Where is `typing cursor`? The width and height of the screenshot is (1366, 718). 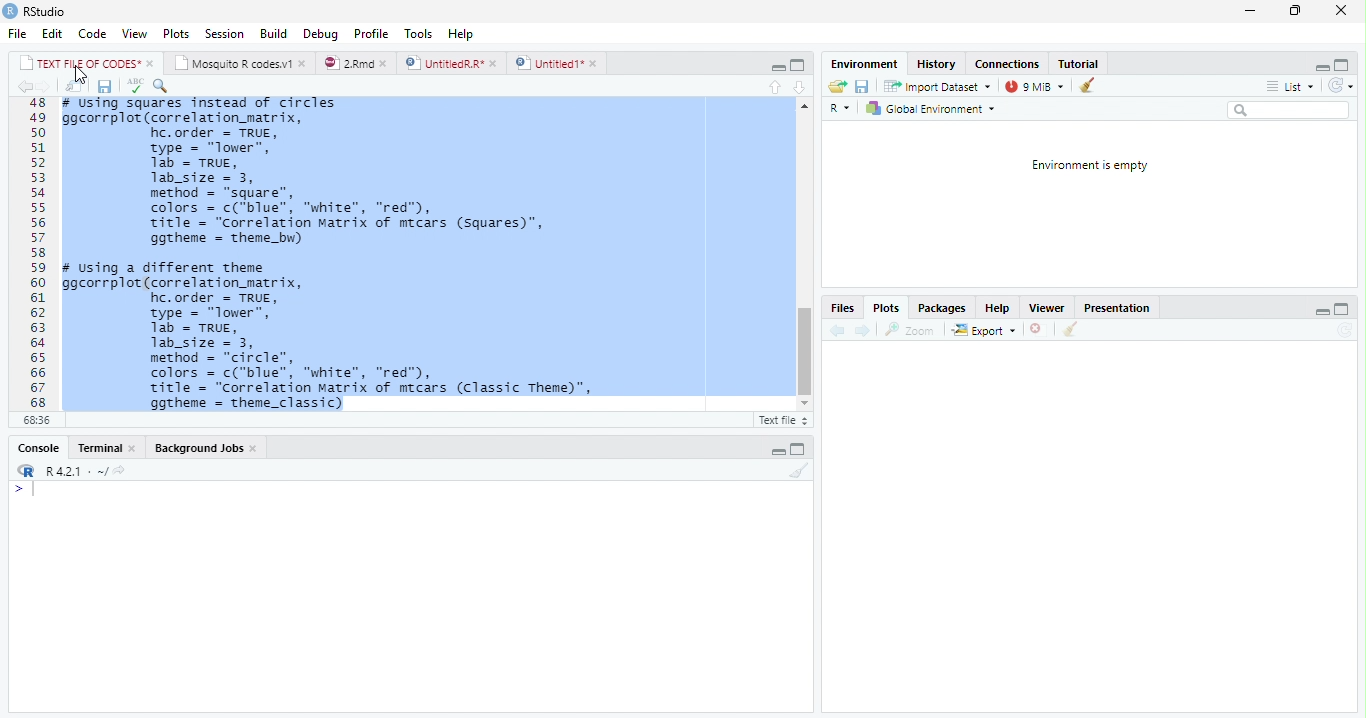
typing cursor is located at coordinates (26, 492).